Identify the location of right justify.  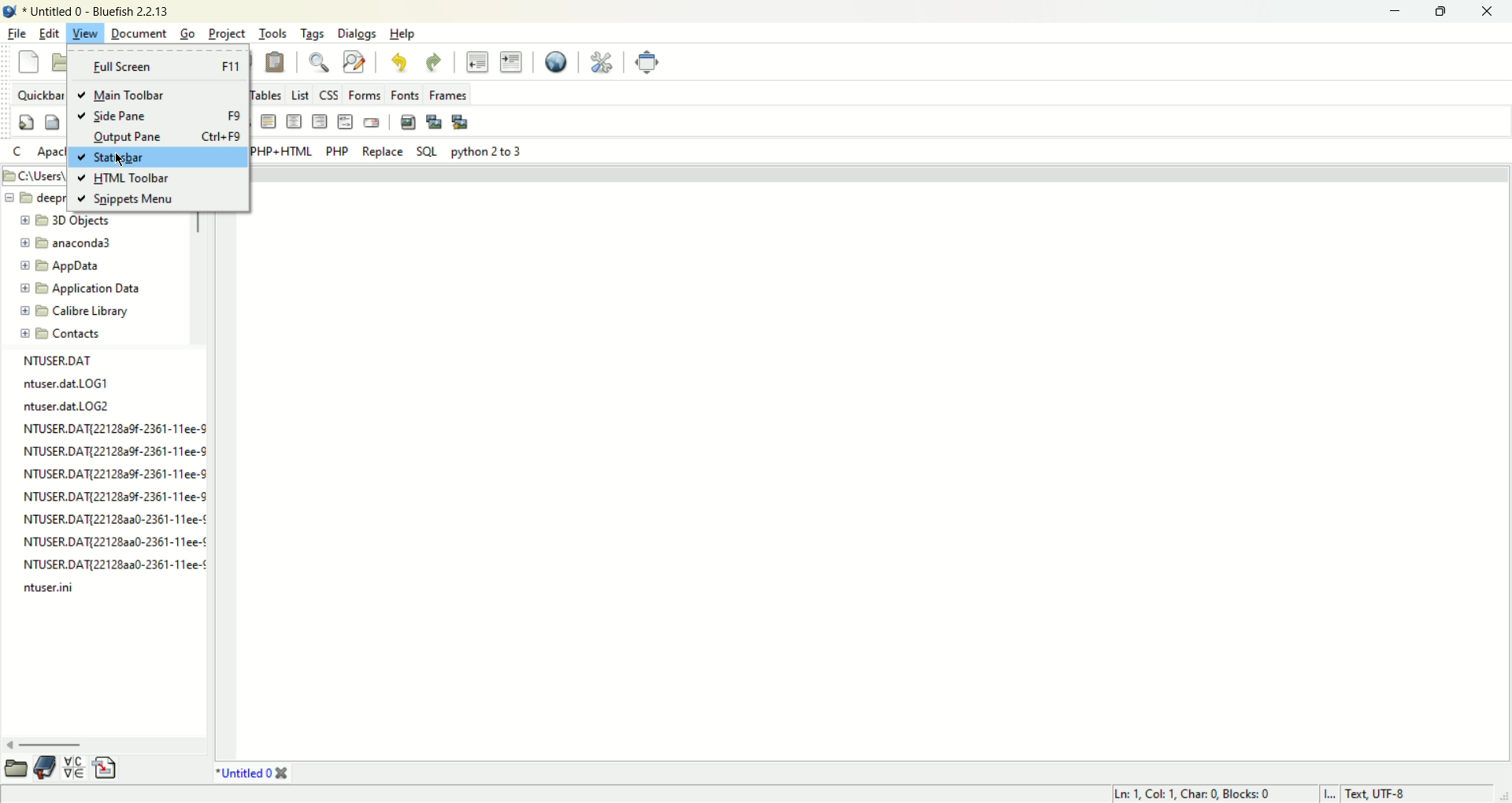
(318, 122).